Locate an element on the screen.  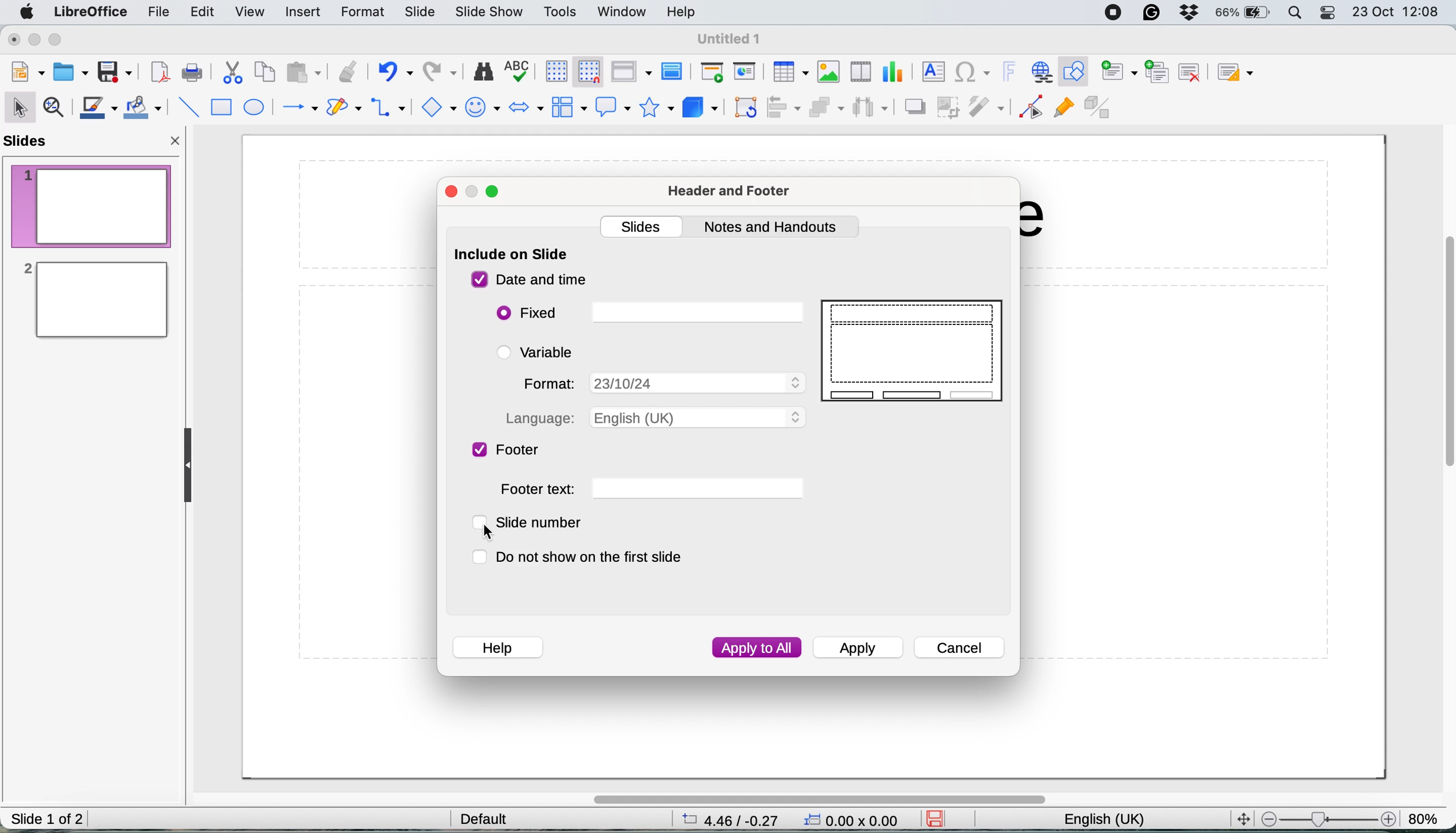
apply is located at coordinates (861, 649).